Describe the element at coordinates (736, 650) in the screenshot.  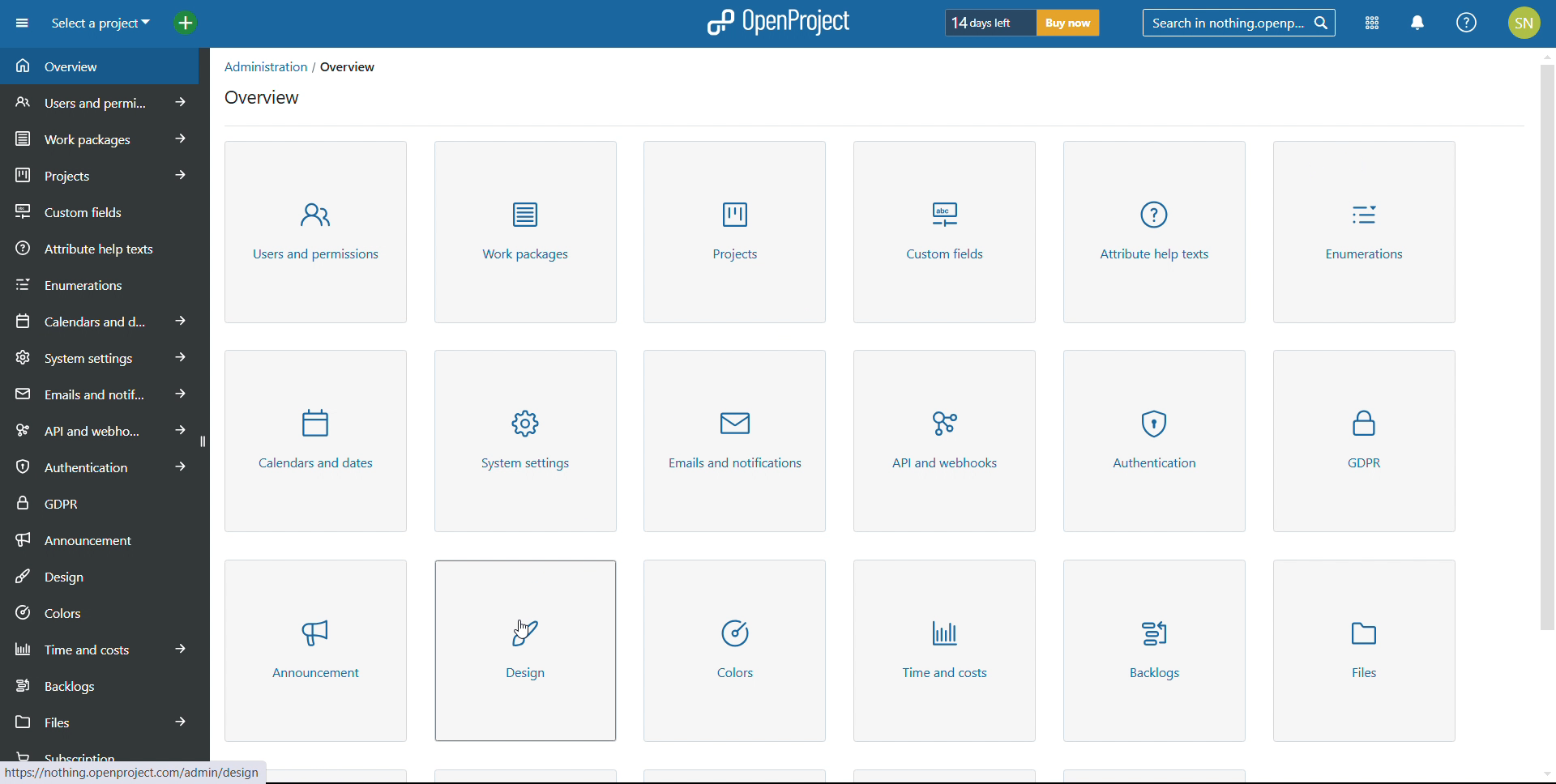
I see `colors` at that location.